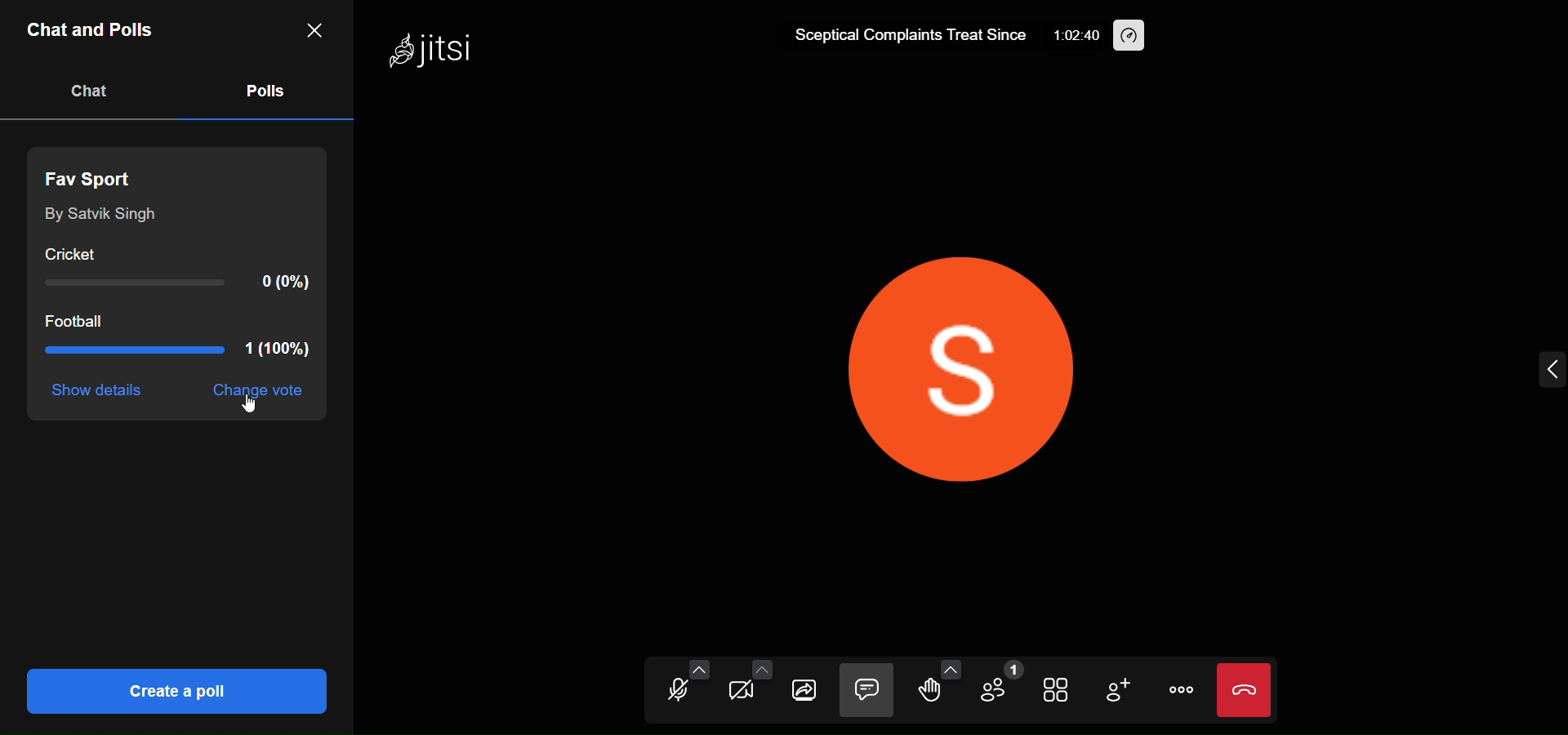  I want to click on participant, so click(998, 685).